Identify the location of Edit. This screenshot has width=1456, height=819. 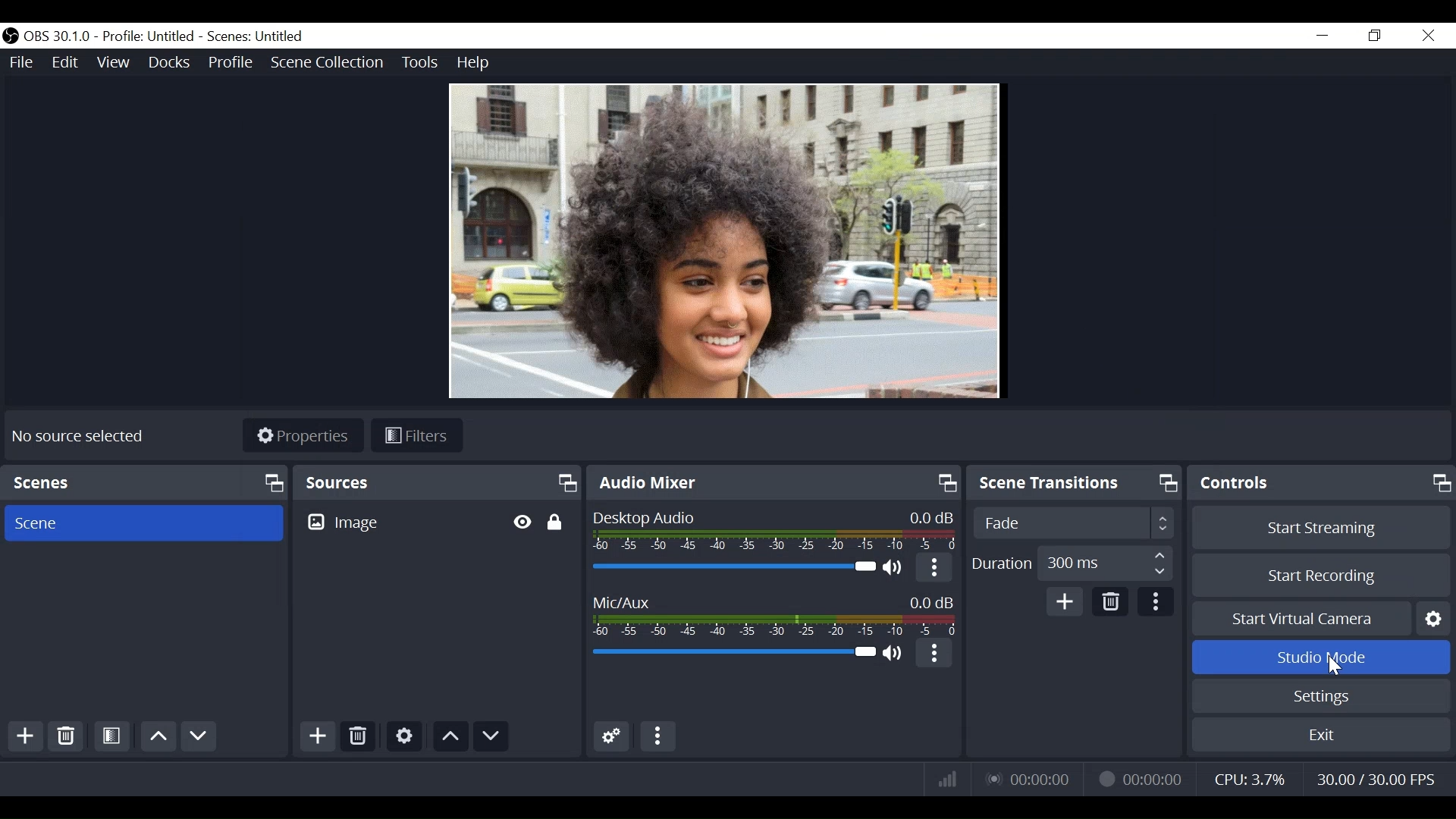
(64, 61).